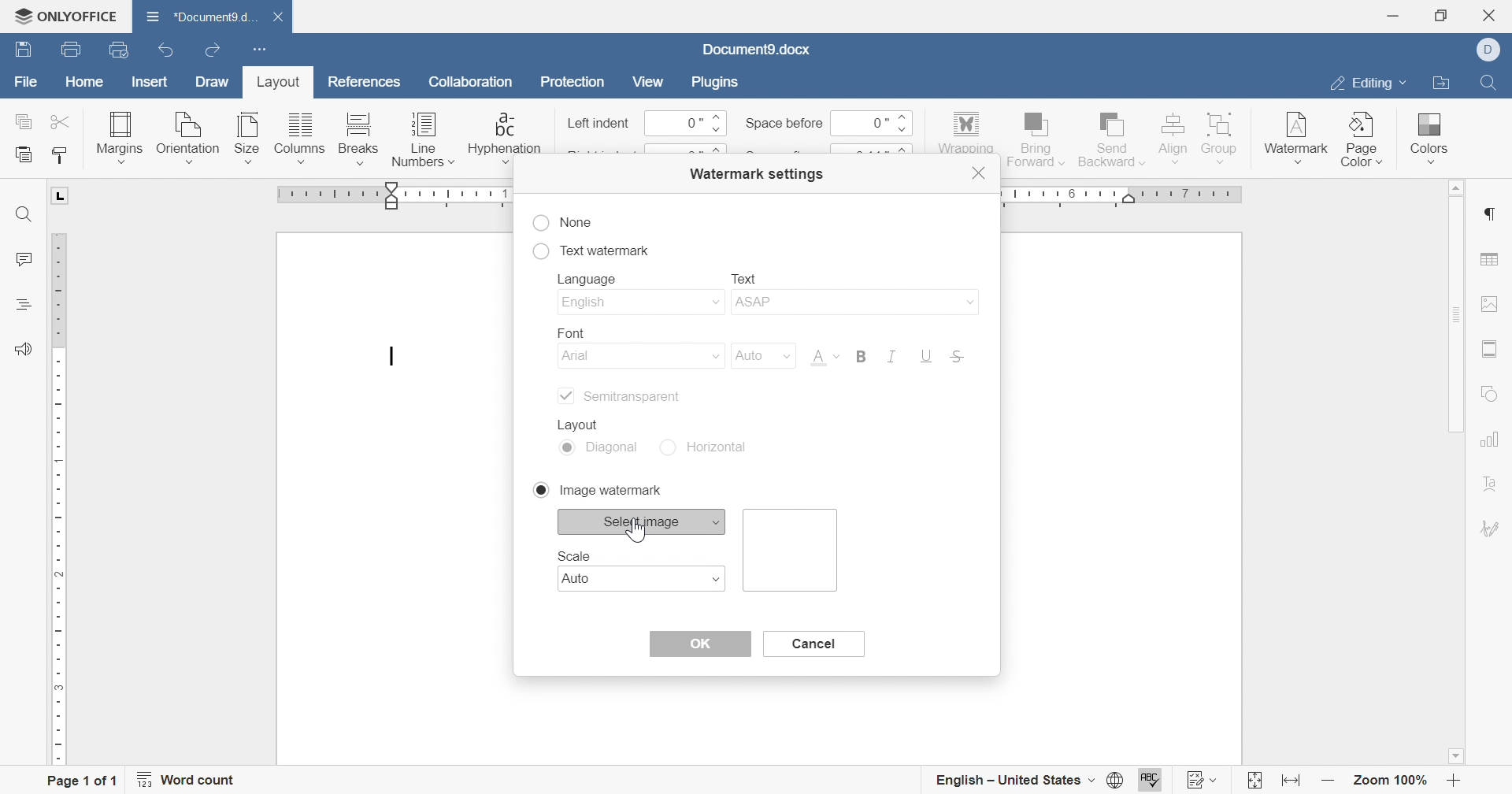 The width and height of the screenshot is (1512, 794). What do you see at coordinates (965, 133) in the screenshot?
I see `wrapping` at bounding box center [965, 133].